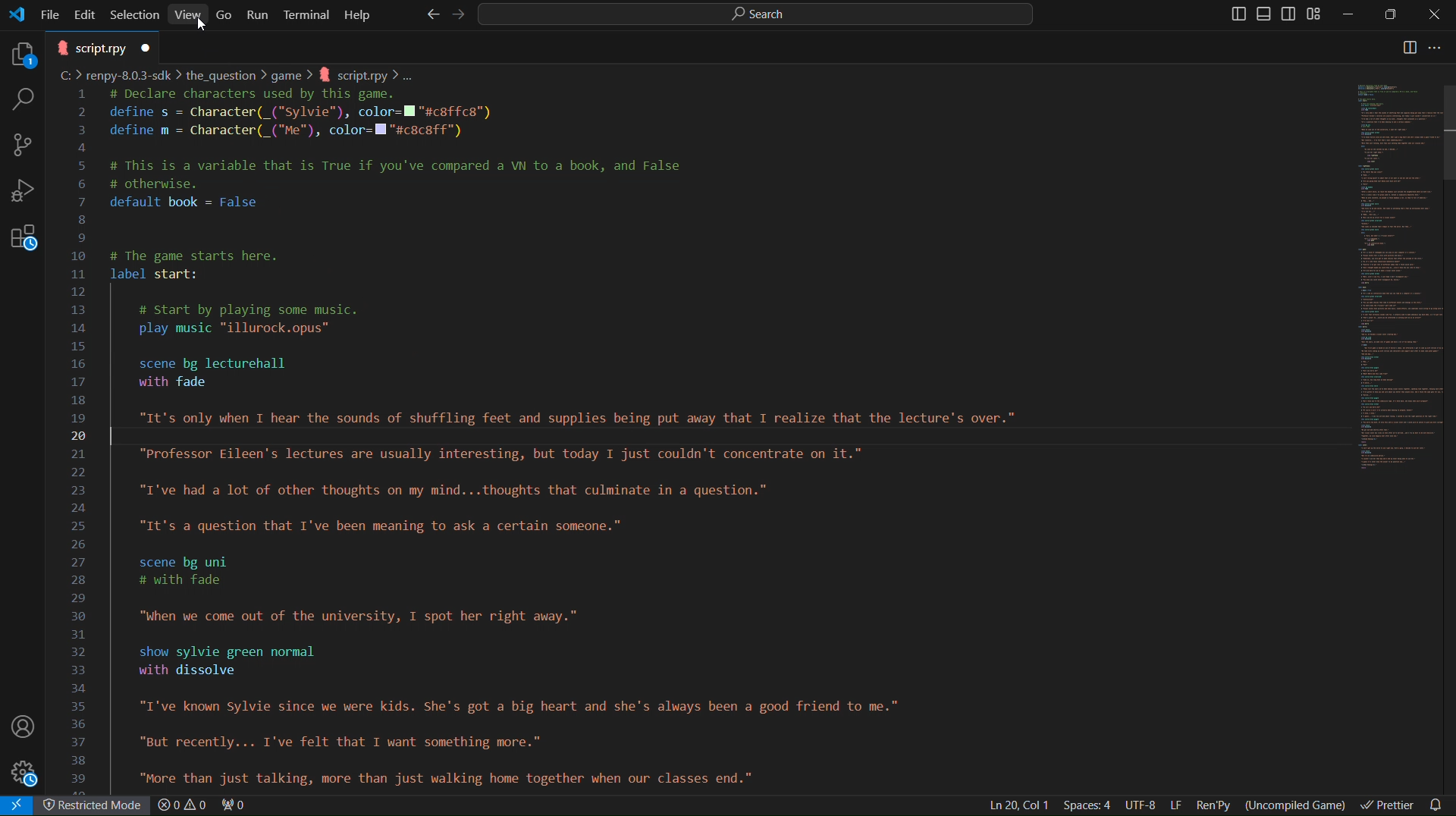 This screenshot has width=1456, height=816. I want to click on Selection, so click(135, 14).